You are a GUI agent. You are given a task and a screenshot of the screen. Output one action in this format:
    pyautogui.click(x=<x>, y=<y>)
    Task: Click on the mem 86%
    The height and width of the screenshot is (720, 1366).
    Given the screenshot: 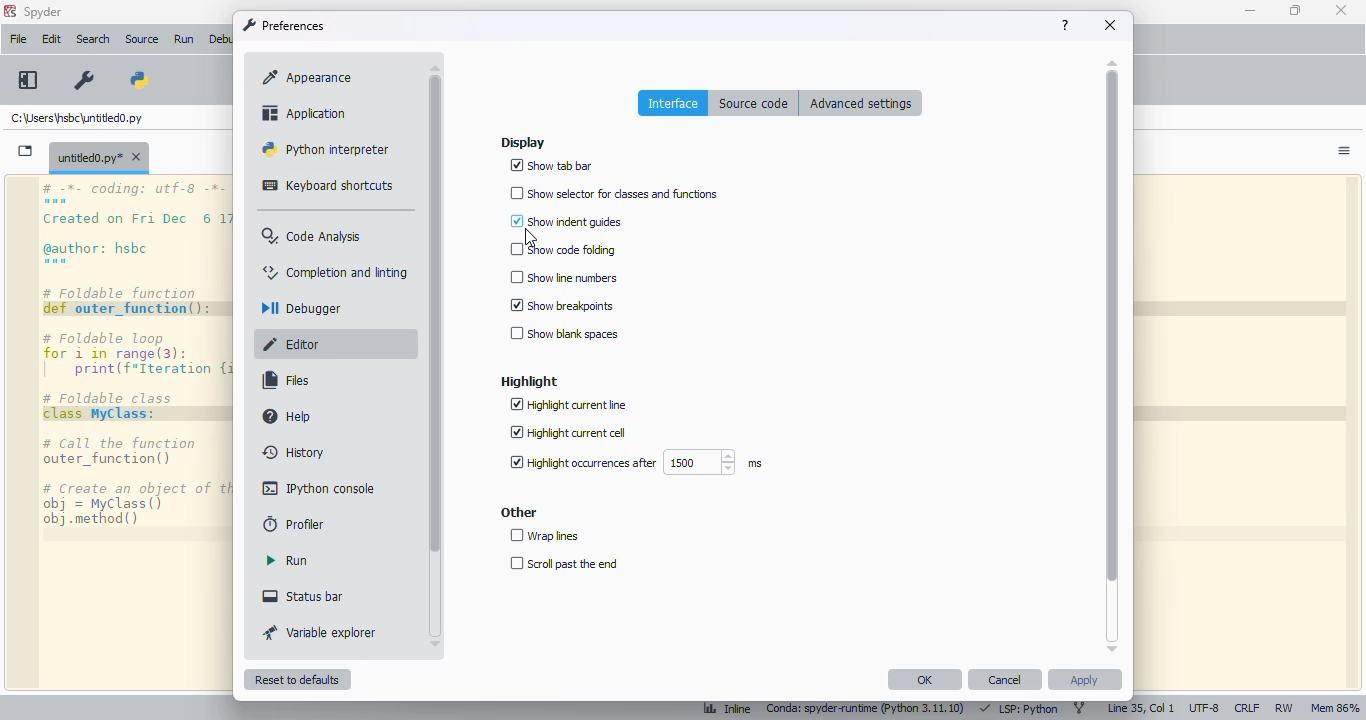 What is the action you would take?
    pyautogui.click(x=1336, y=707)
    